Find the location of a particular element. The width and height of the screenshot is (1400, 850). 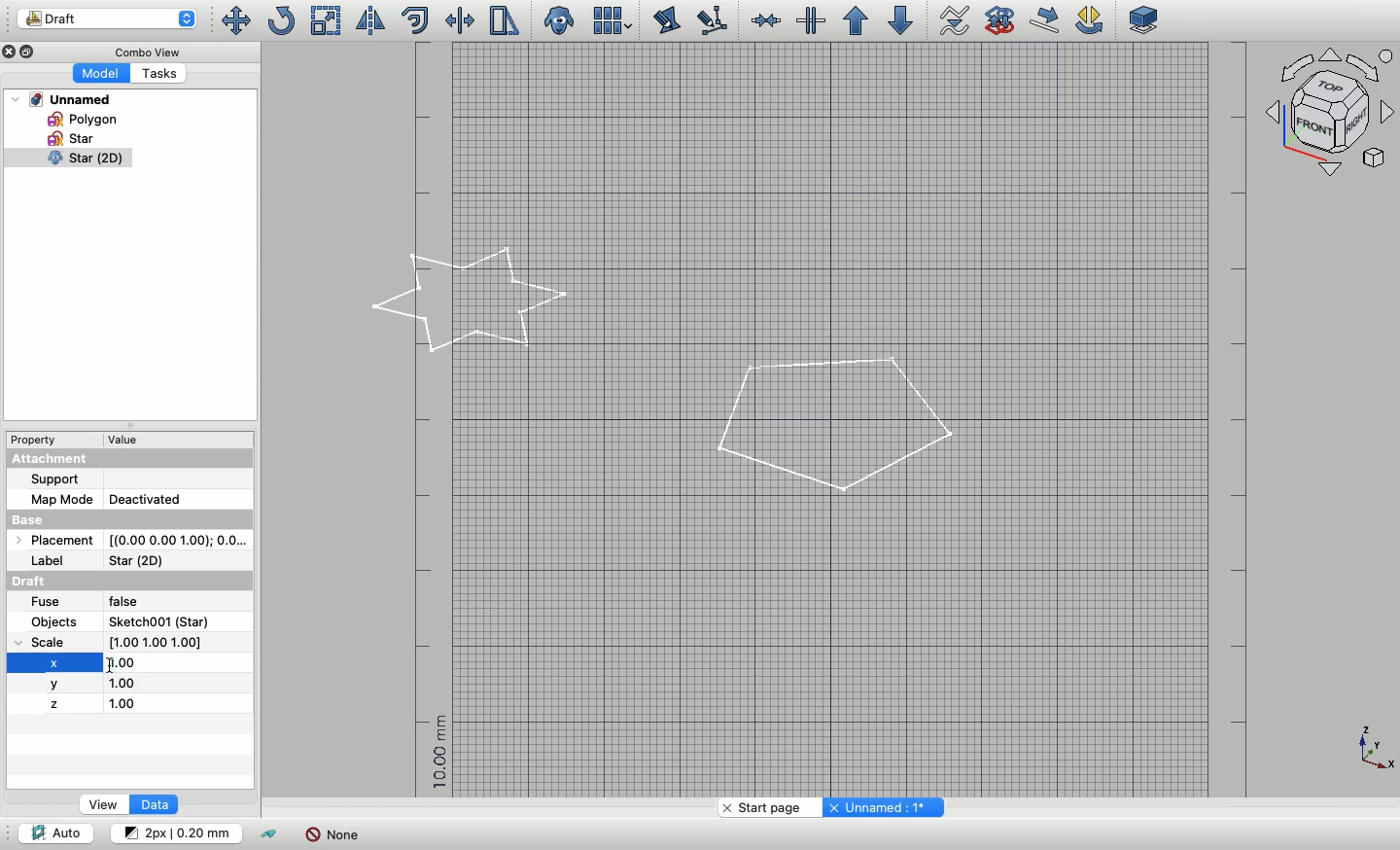

Star clone is located at coordinates (66, 159).